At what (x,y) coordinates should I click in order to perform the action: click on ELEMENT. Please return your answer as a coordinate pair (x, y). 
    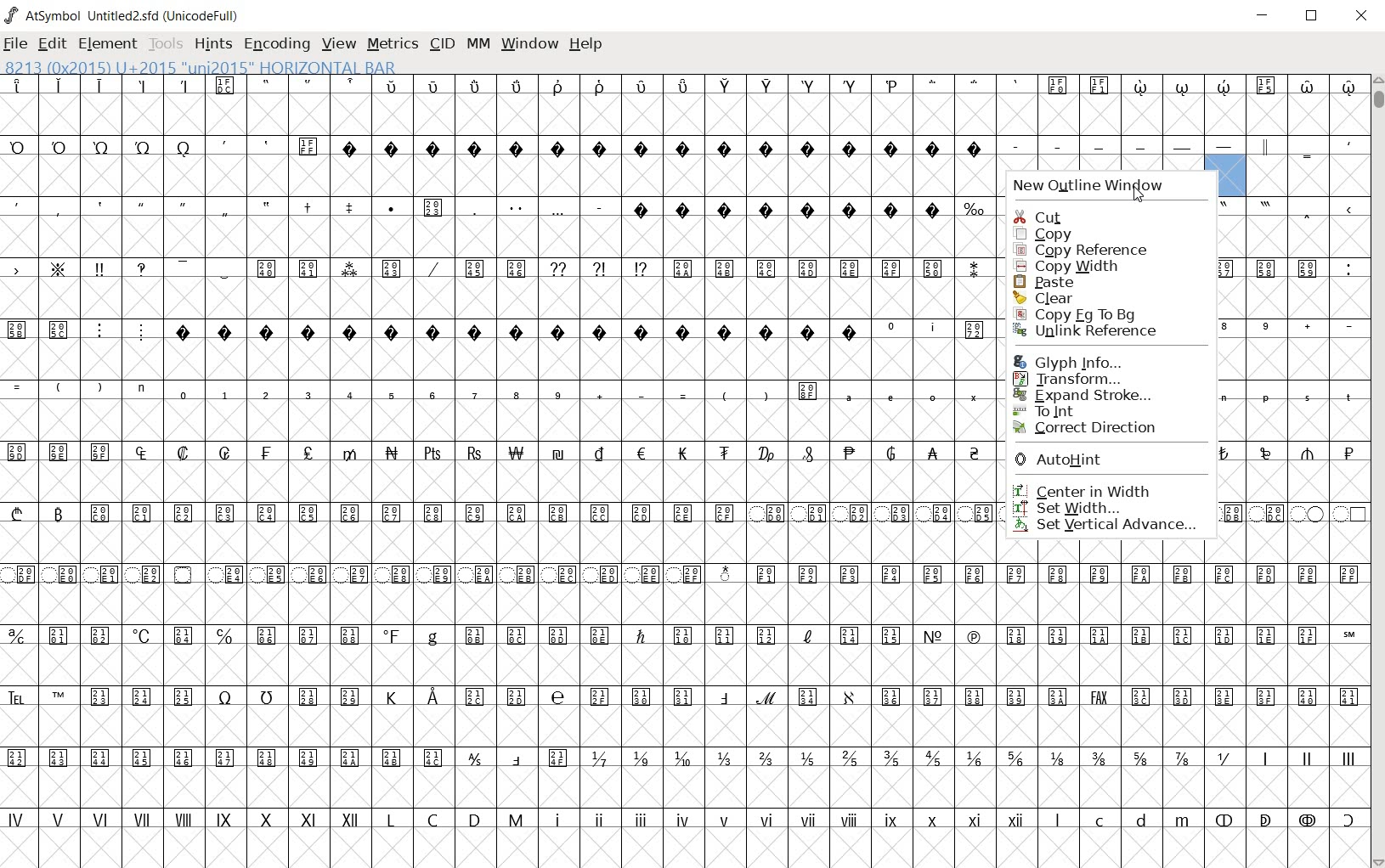
    Looking at the image, I should click on (109, 43).